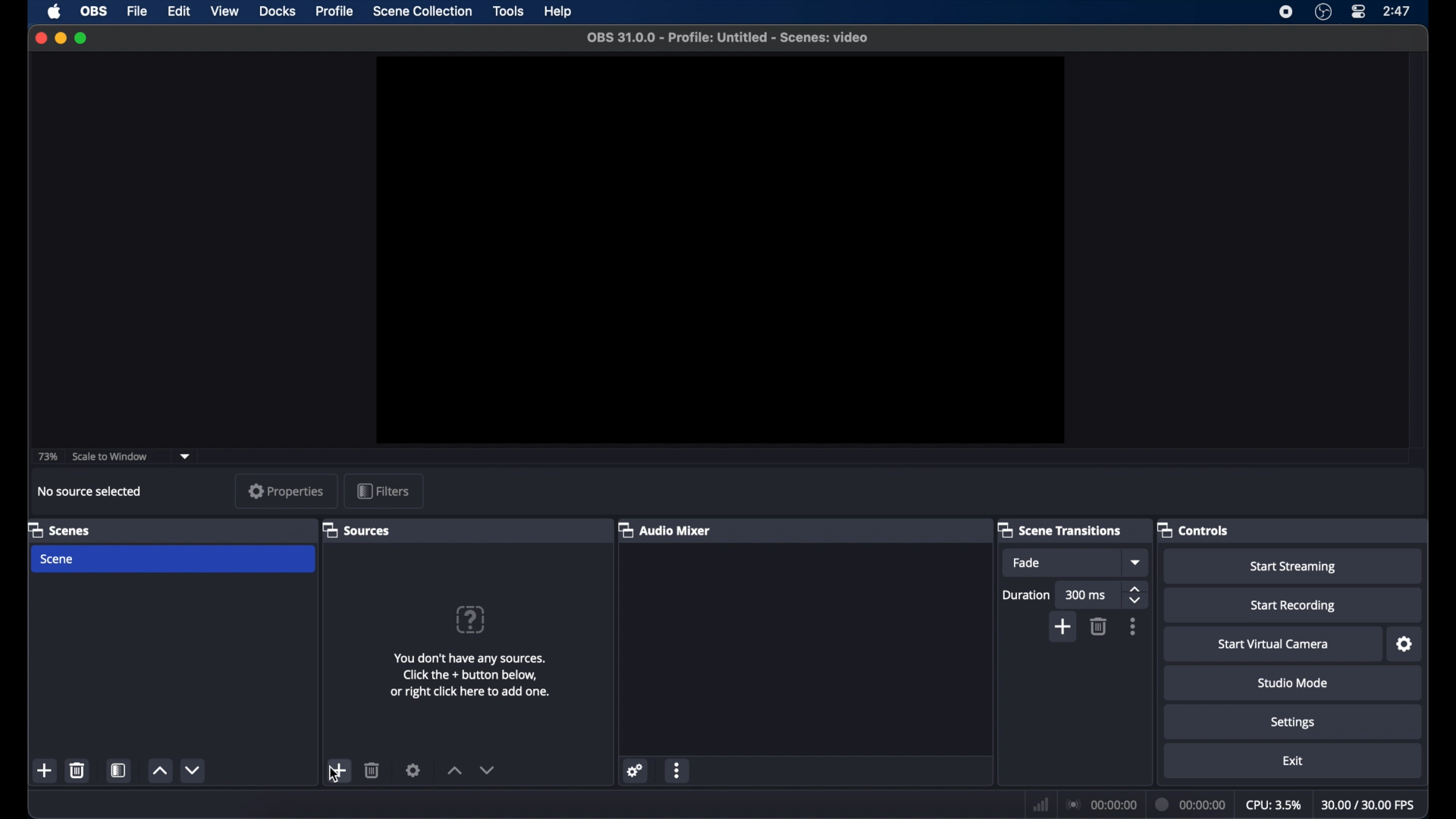  What do you see at coordinates (1102, 805) in the screenshot?
I see `connection` at bounding box center [1102, 805].